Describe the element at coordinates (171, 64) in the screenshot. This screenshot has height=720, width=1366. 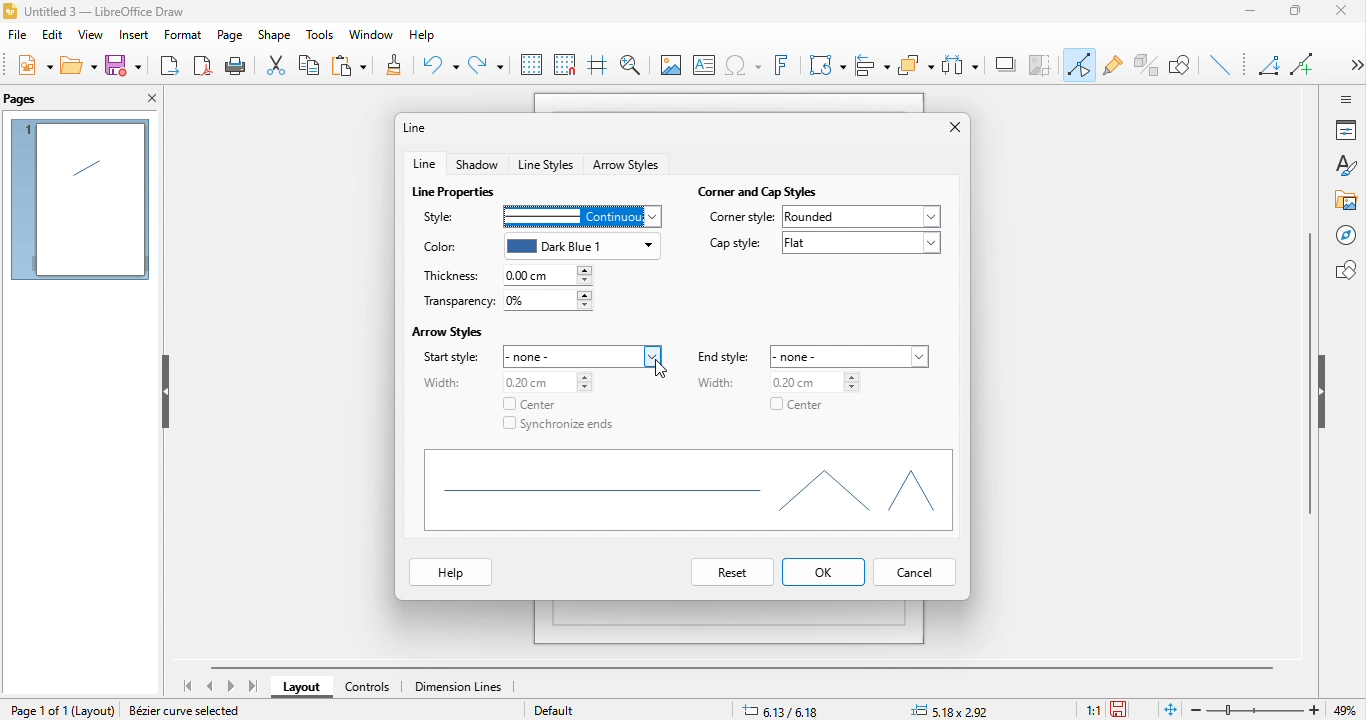
I see `export` at that location.